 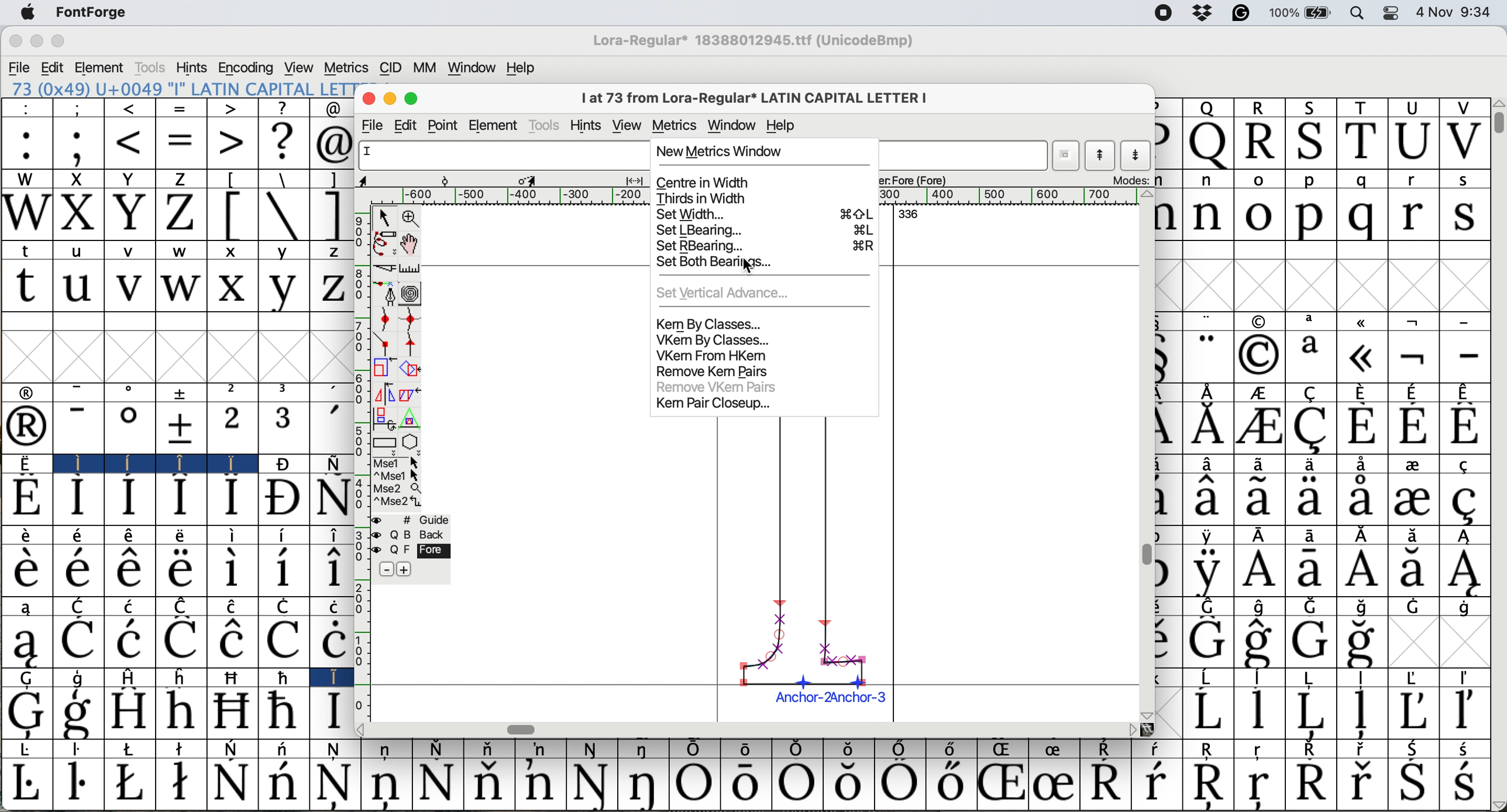 I want to click on control center, so click(x=1393, y=14).